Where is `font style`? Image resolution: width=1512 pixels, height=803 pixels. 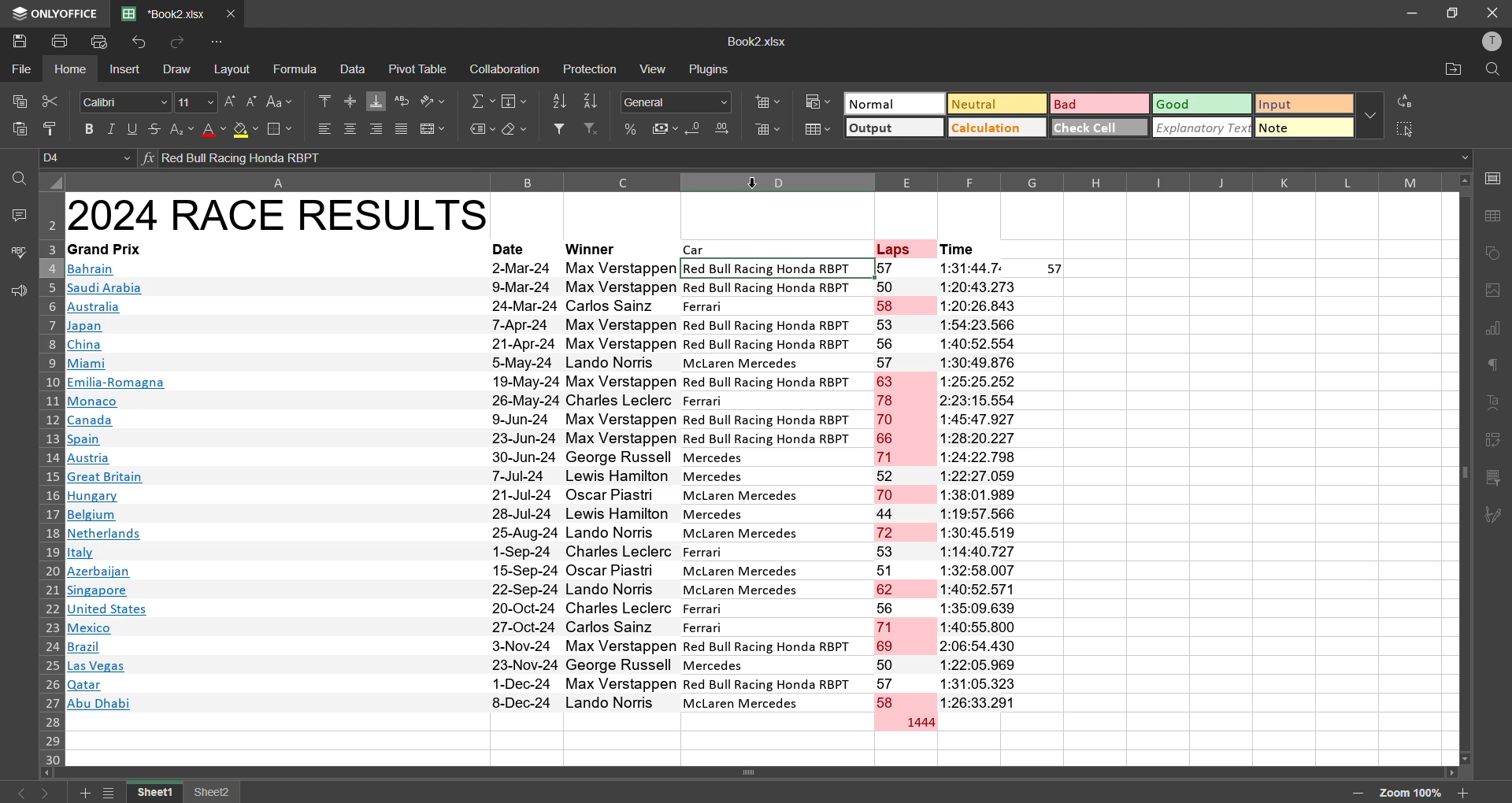
font style is located at coordinates (126, 102).